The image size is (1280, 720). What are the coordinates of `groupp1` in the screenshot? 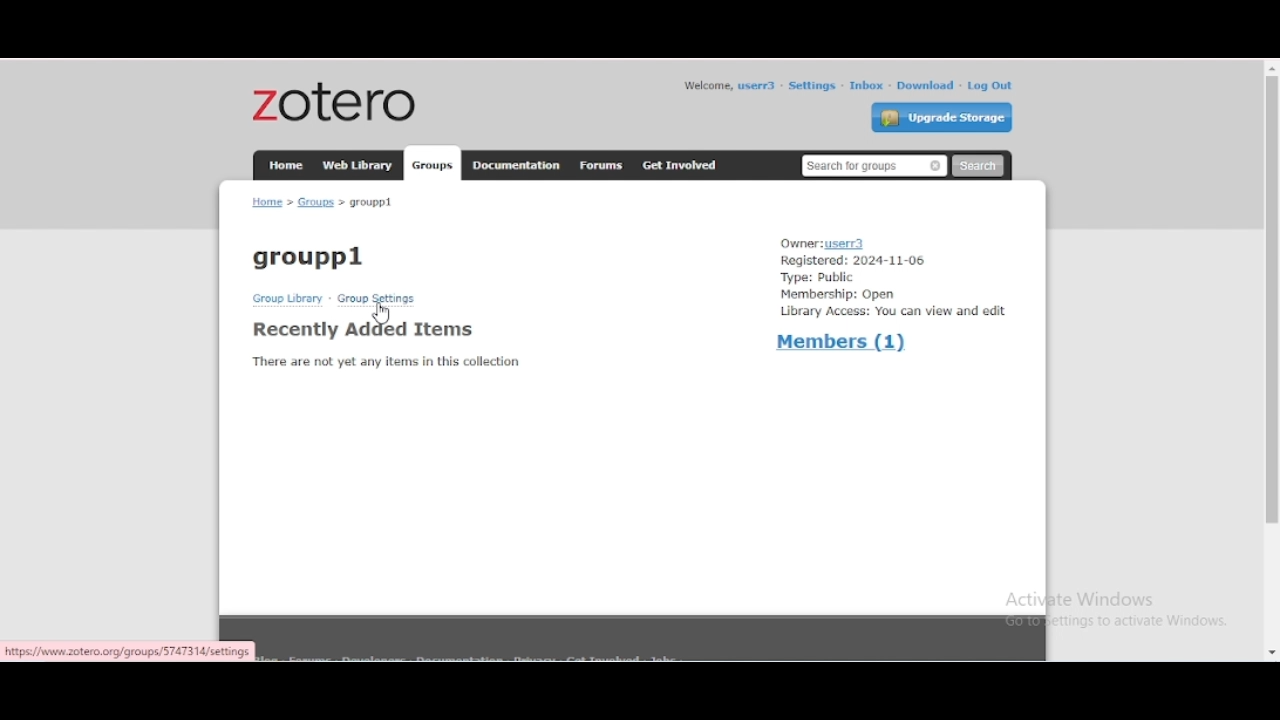 It's located at (310, 256).